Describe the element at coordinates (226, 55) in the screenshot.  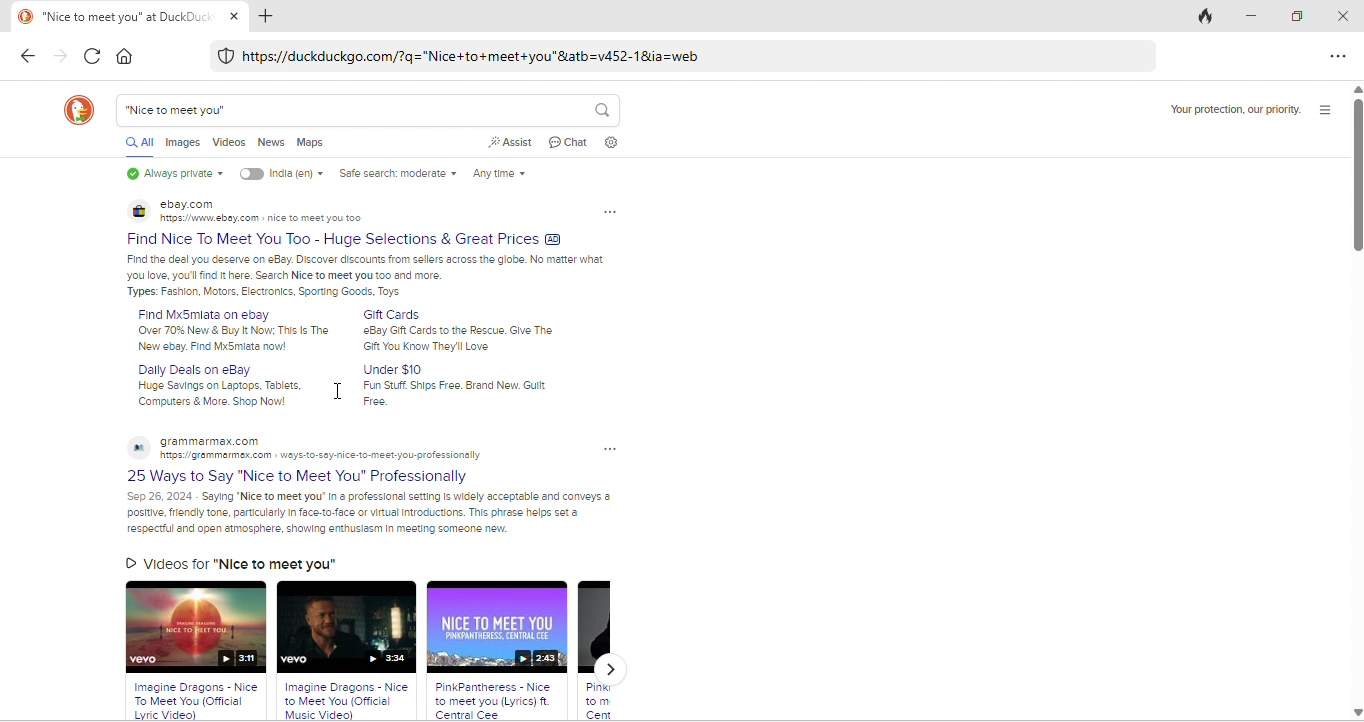
I see `mac safe` at that location.